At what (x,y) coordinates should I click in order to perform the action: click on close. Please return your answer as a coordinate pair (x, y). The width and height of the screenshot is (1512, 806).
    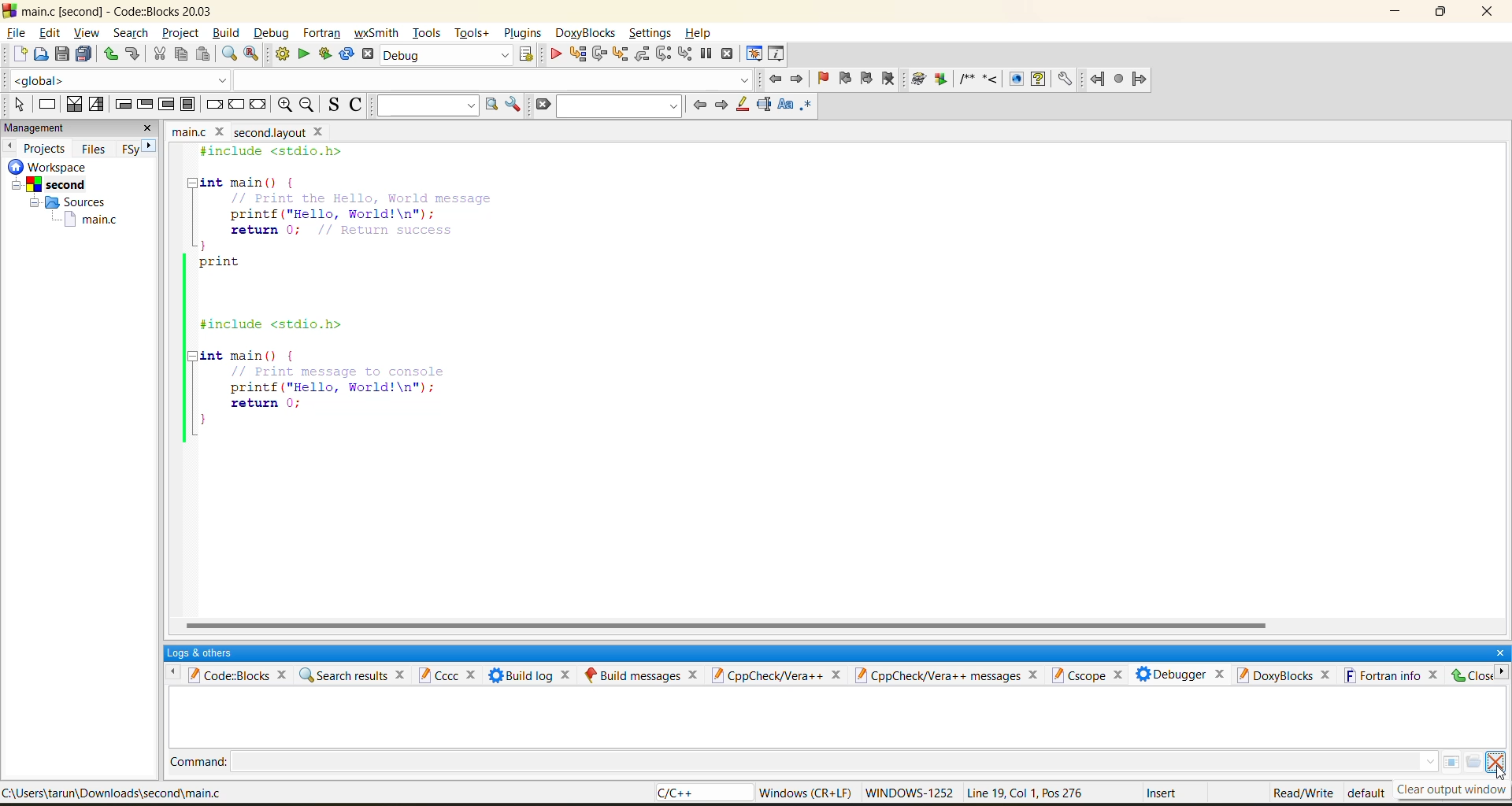
    Looking at the image, I should click on (1498, 650).